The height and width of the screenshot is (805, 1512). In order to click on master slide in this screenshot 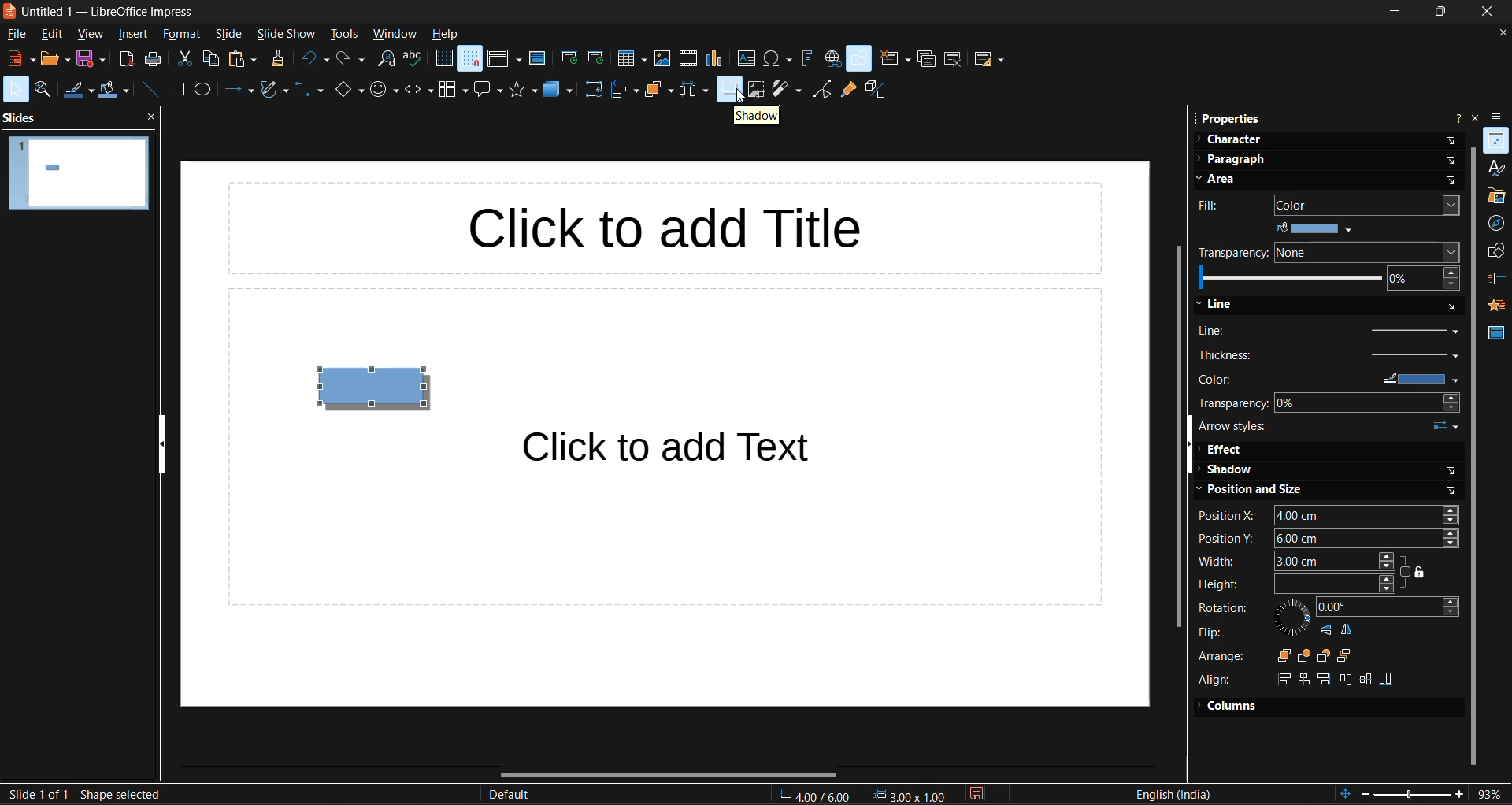, I will do `click(539, 57)`.